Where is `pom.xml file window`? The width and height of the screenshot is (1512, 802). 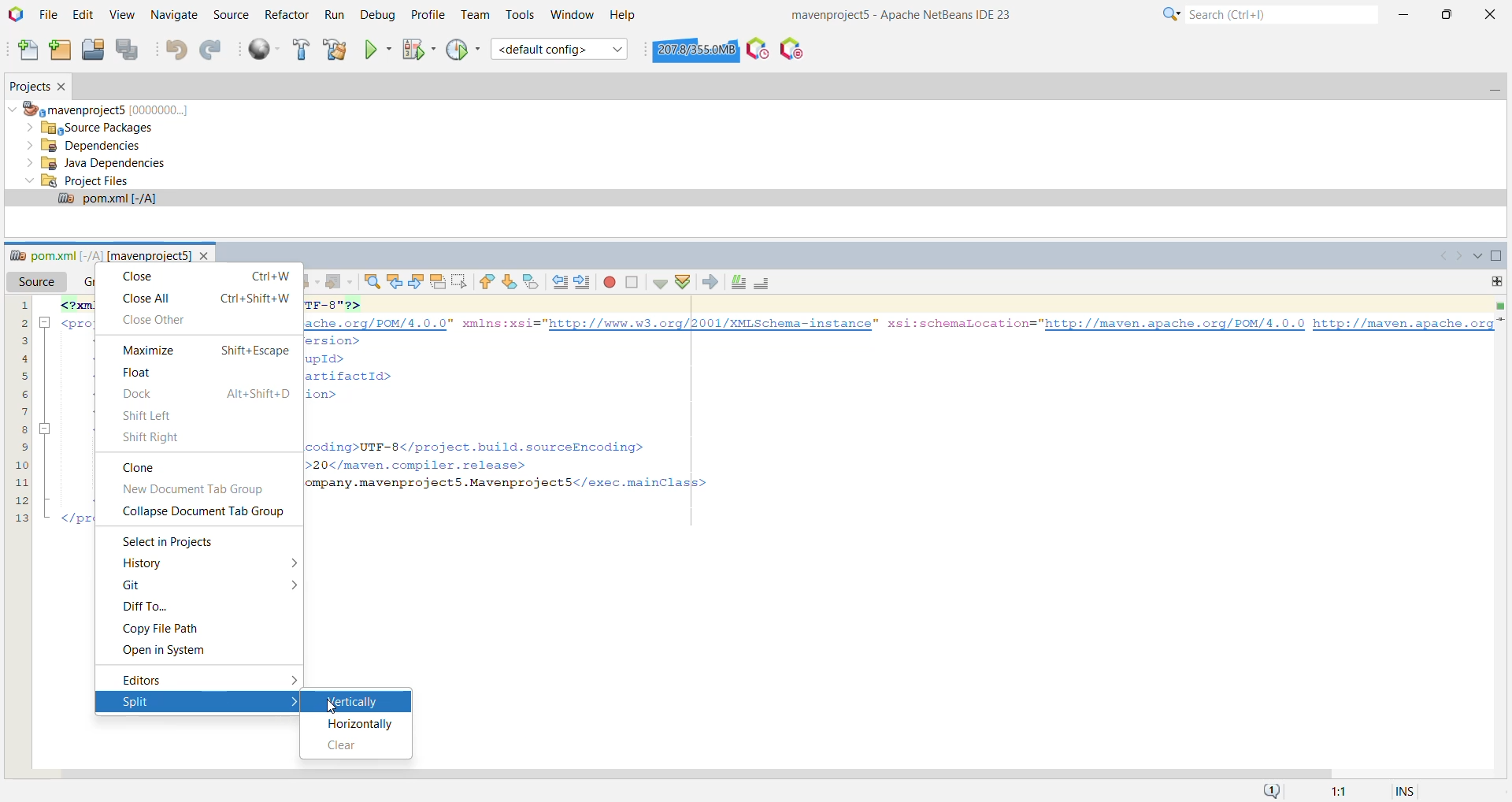
pom.xml file window is located at coordinates (98, 255).